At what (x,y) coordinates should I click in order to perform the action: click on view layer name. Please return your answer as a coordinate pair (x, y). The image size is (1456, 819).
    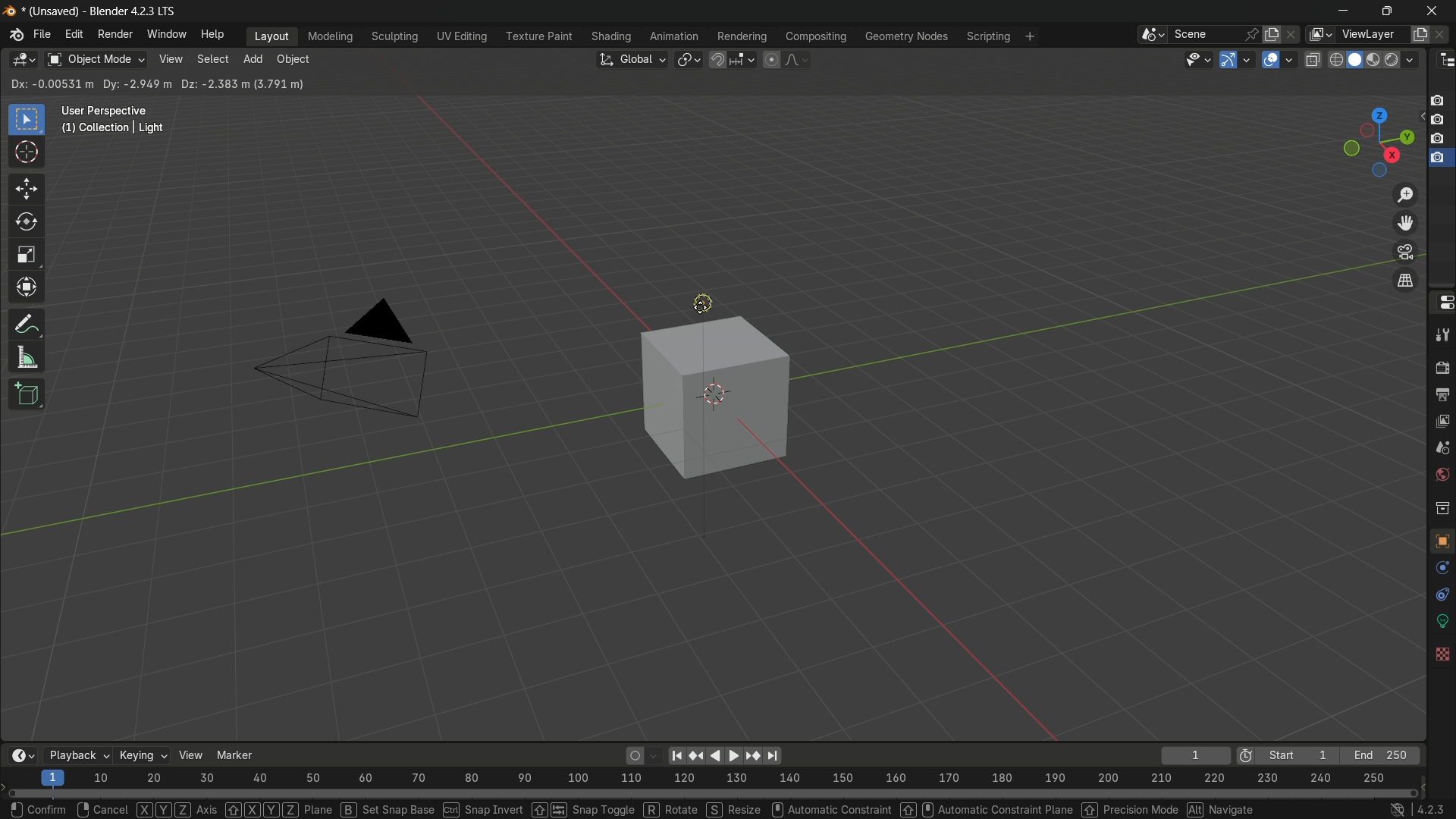
    Looking at the image, I should click on (1370, 34).